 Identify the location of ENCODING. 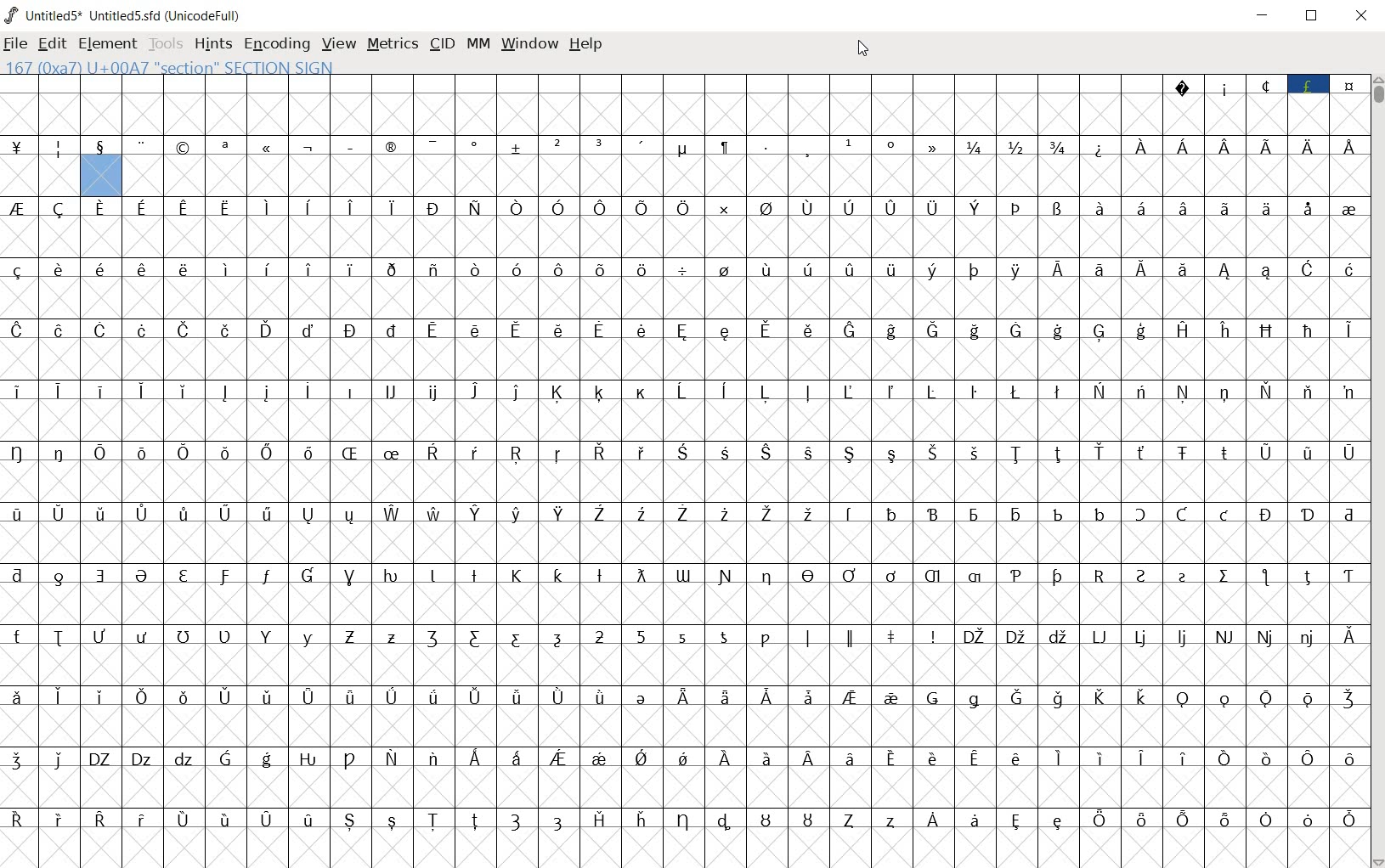
(275, 45).